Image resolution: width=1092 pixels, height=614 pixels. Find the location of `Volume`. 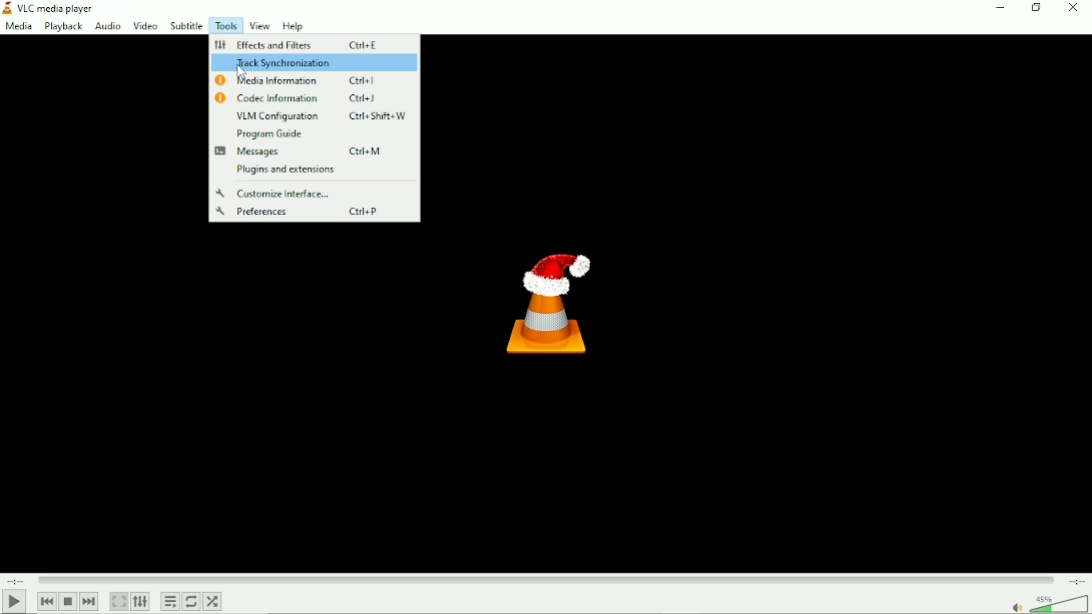

Volume is located at coordinates (1046, 603).